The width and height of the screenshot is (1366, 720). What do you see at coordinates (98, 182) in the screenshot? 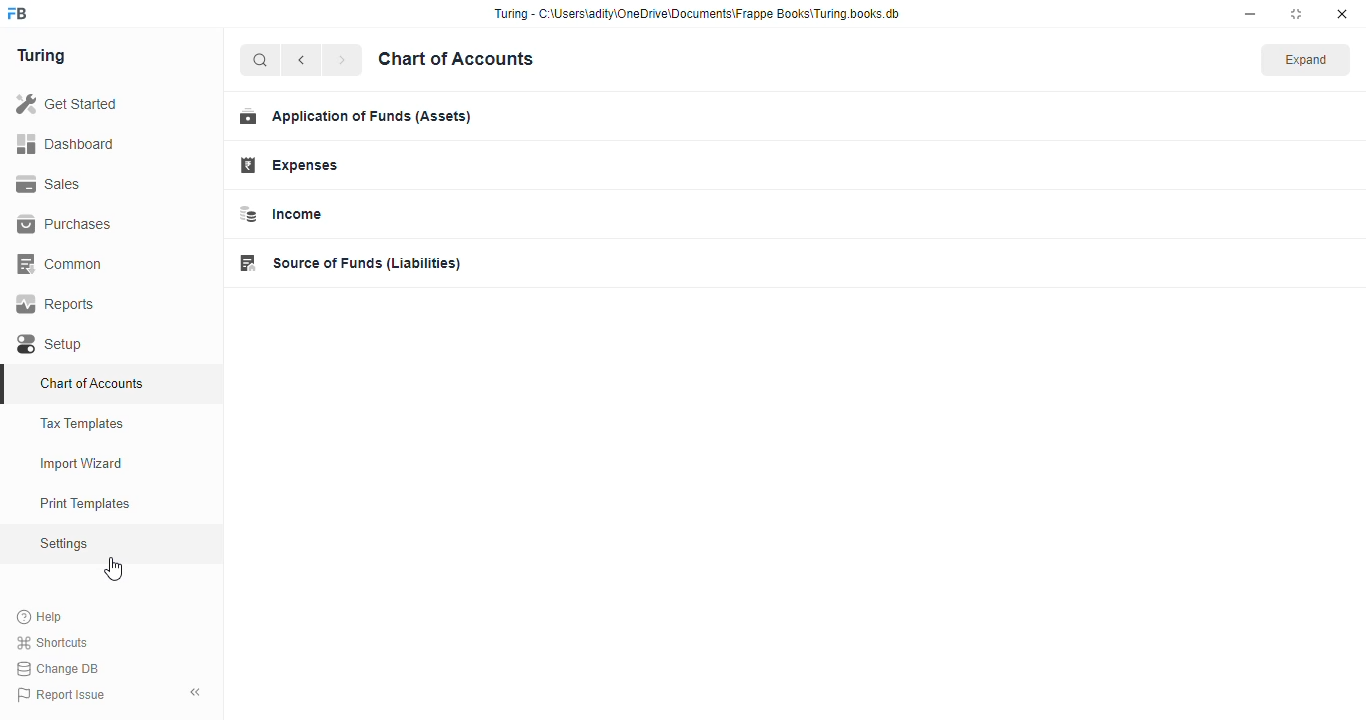
I see `Sales` at bounding box center [98, 182].